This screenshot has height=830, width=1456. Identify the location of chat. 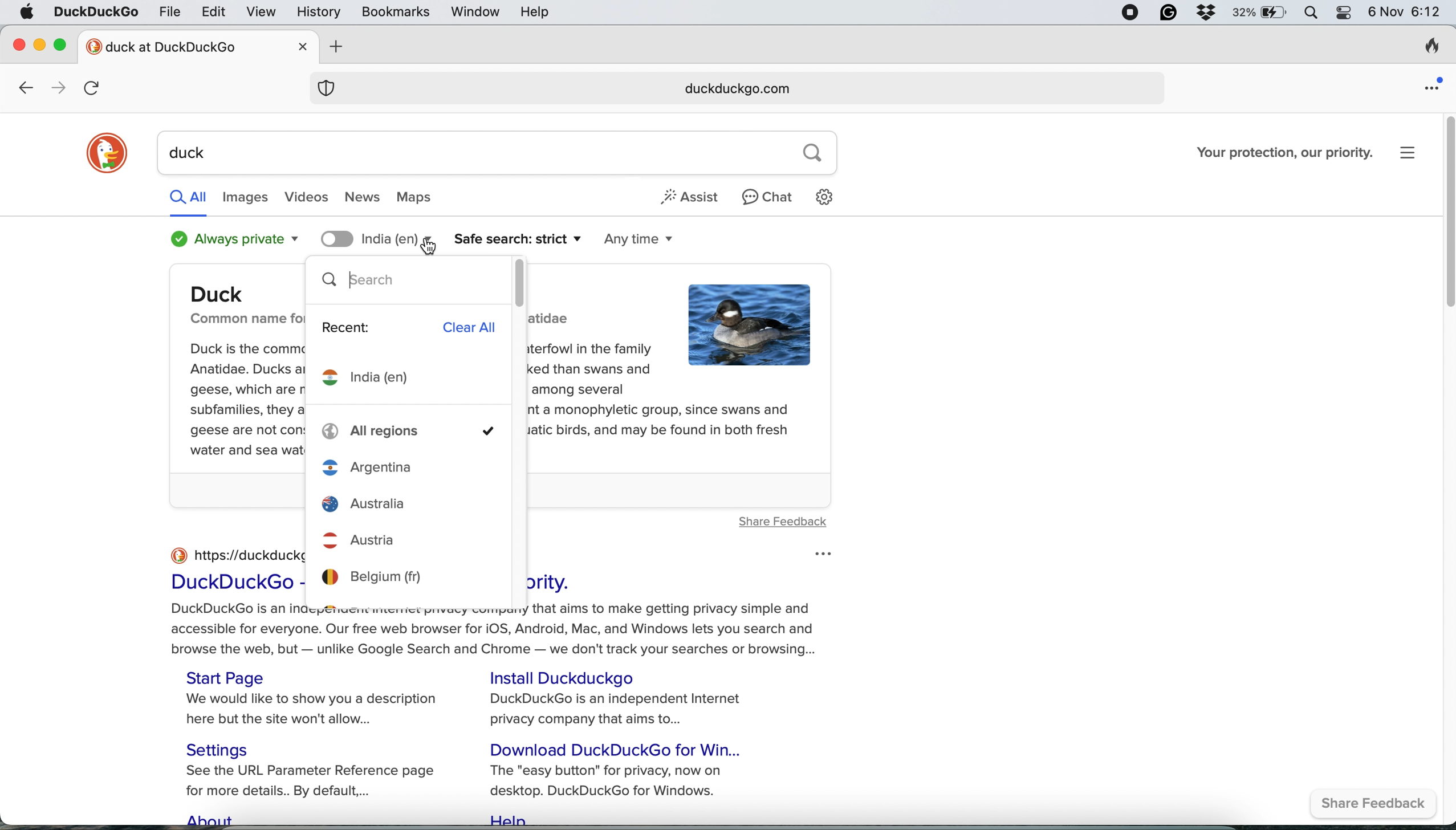
(768, 196).